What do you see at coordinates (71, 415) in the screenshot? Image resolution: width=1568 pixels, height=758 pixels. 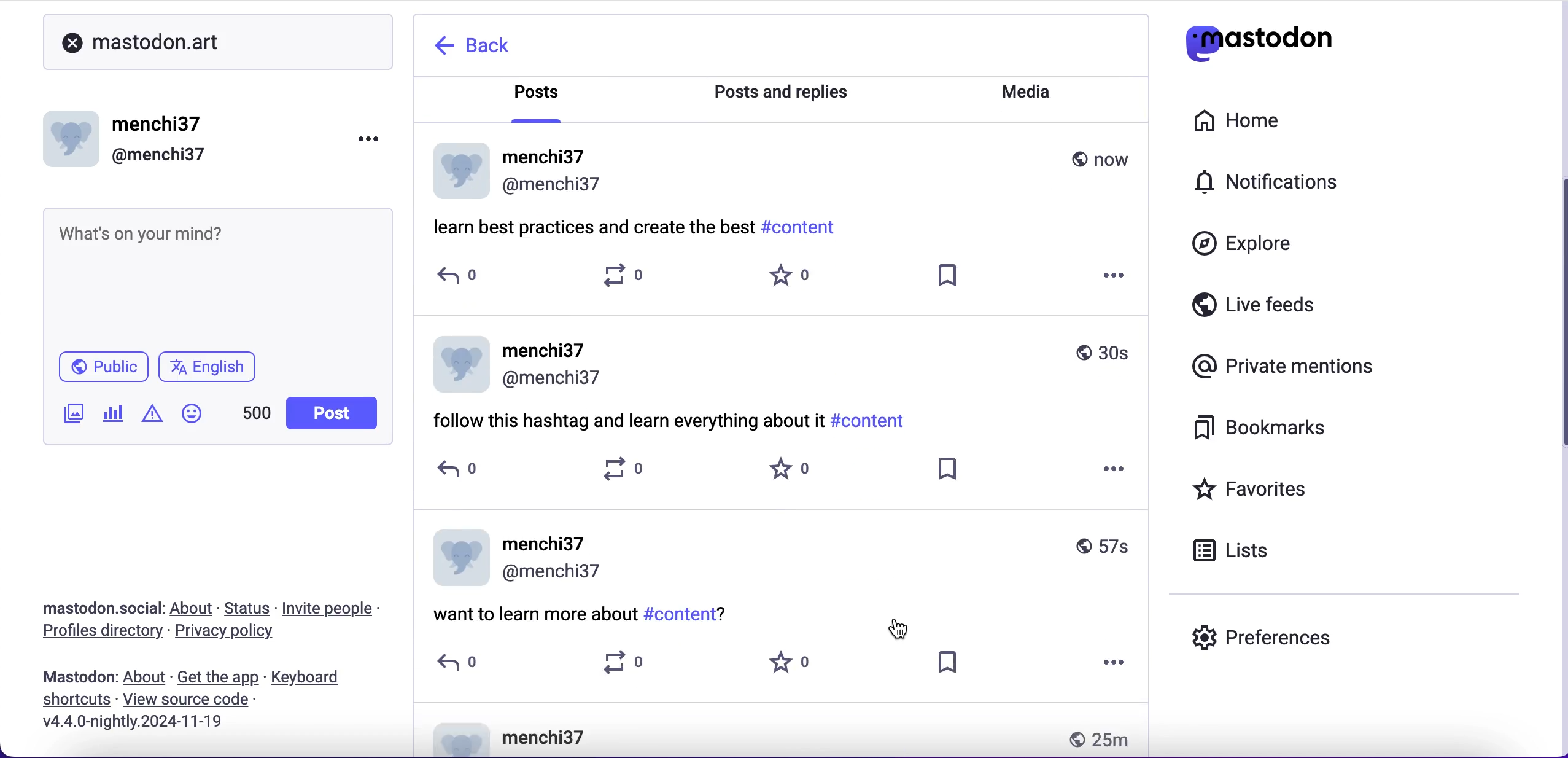 I see `add image` at bounding box center [71, 415].